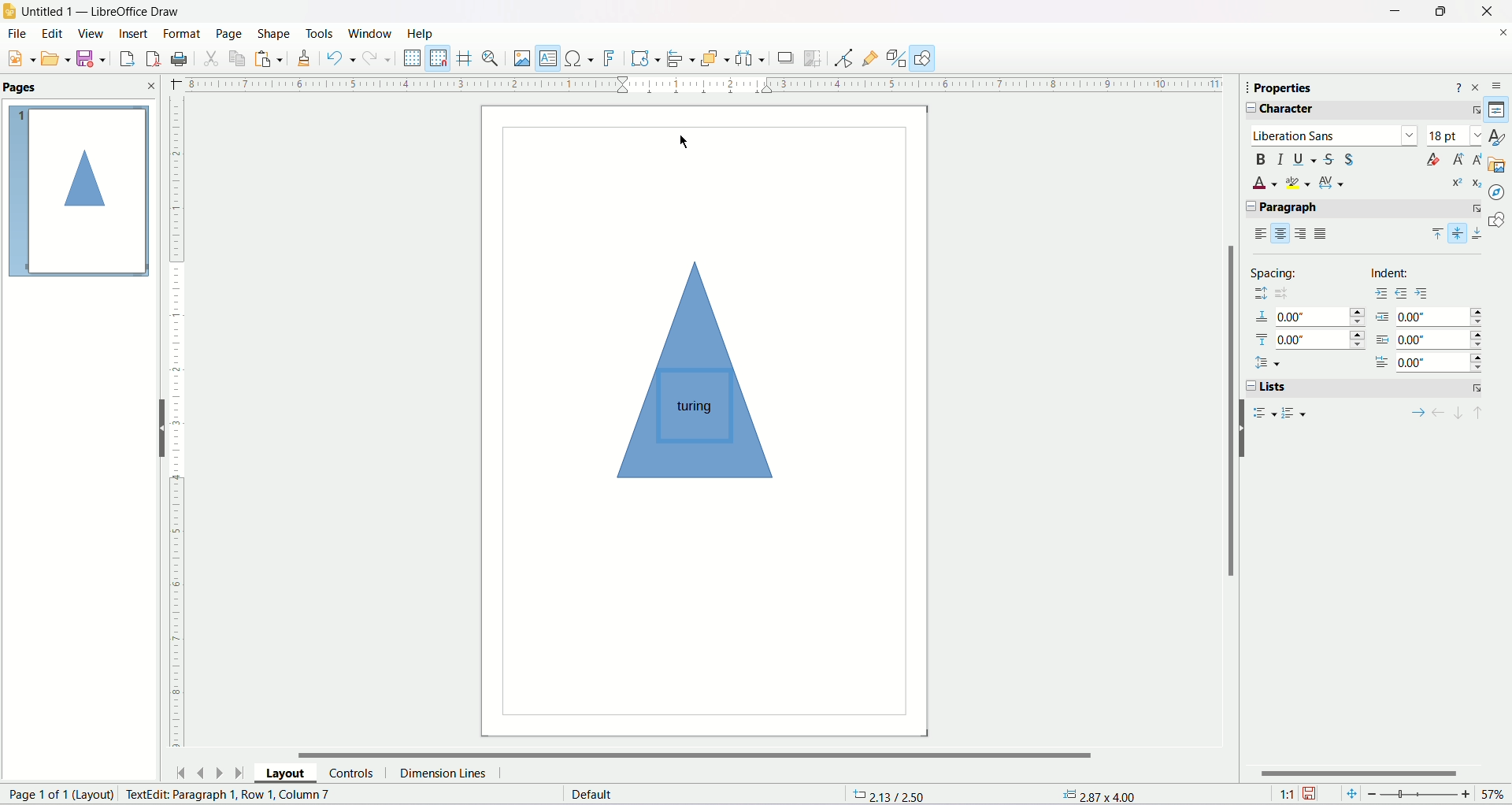 This screenshot has width=1512, height=805. I want to click on export, so click(125, 58).